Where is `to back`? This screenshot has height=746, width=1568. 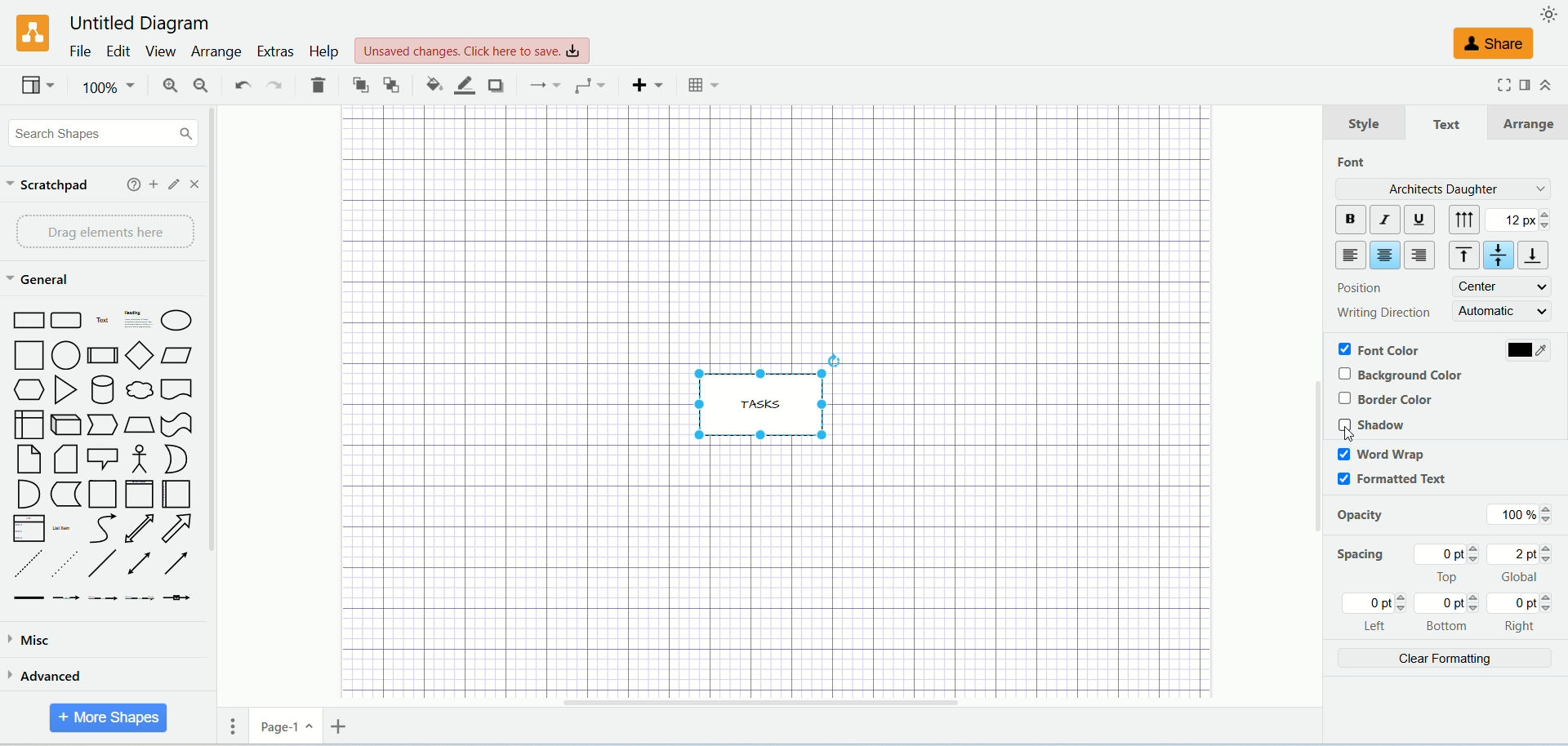
to back is located at coordinates (392, 83).